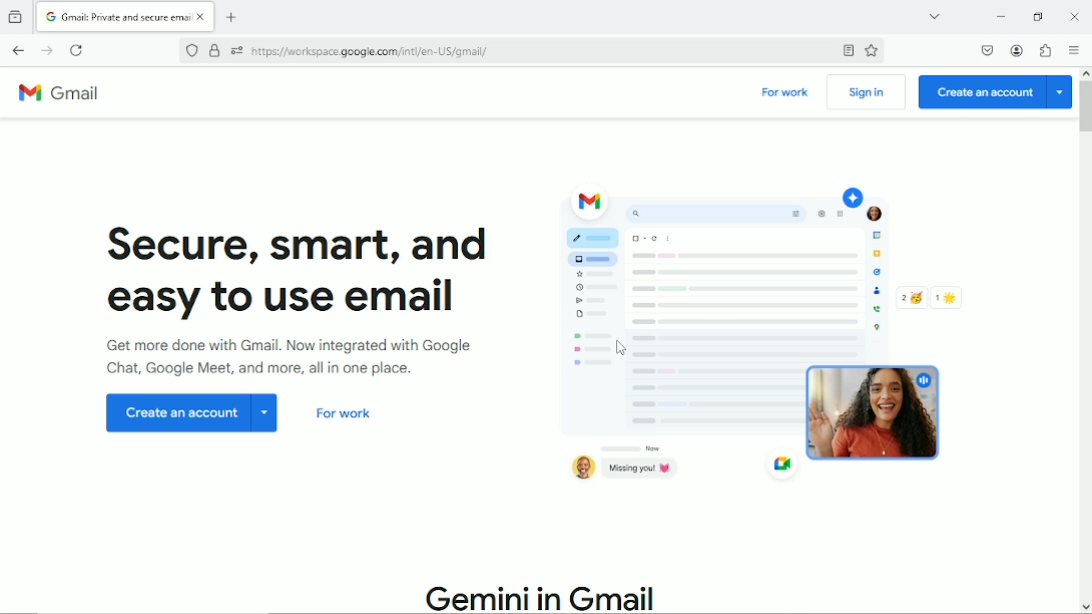 This screenshot has width=1092, height=614. What do you see at coordinates (304, 362) in the screenshot?
I see `Get more done with Gmail. now integrated with Google chat, google meet and more, all in one place` at bounding box center [304, 362].